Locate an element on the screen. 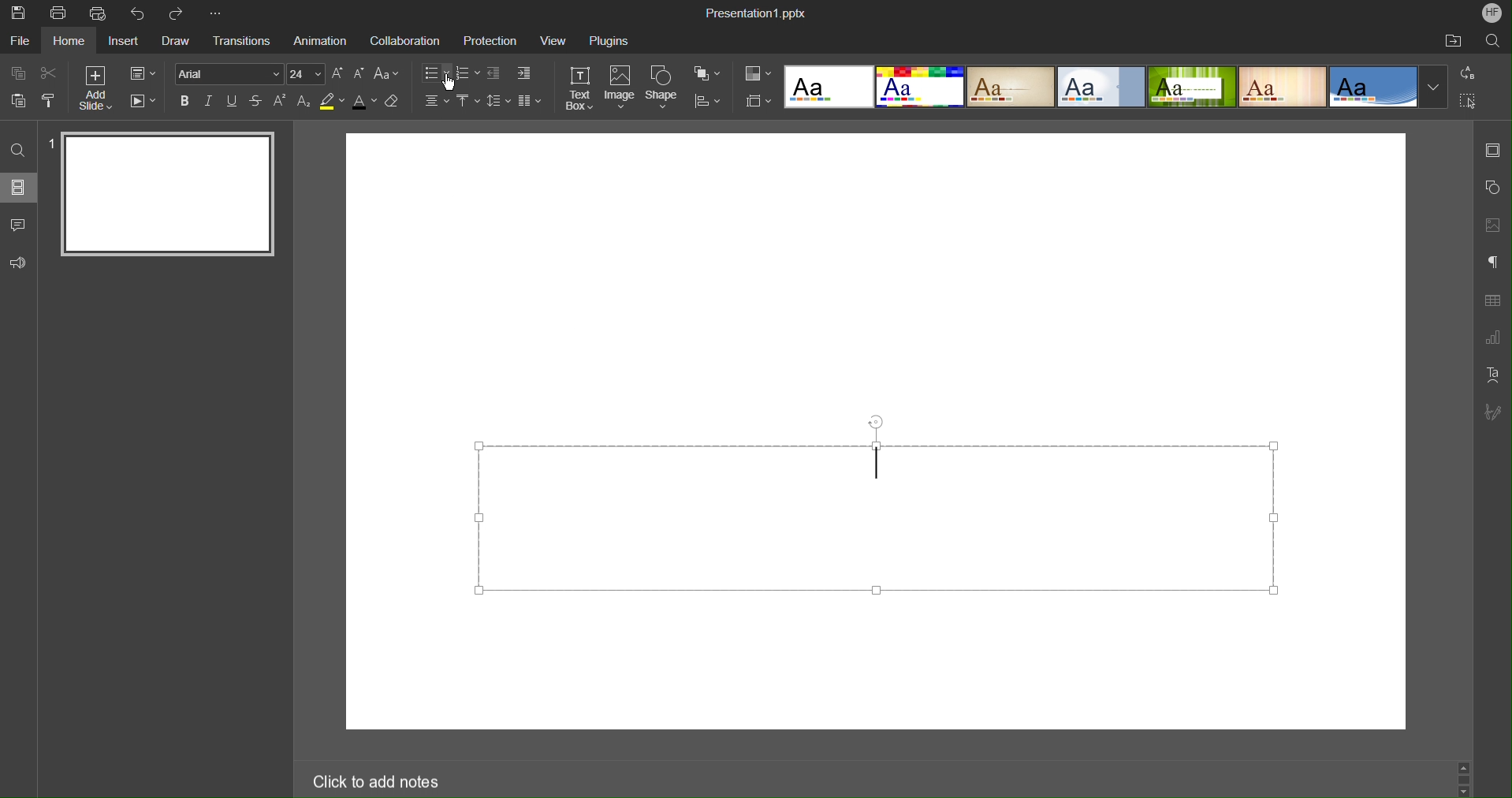 The image size is (1512, 798). Slides is located at coordinates (20, 189).